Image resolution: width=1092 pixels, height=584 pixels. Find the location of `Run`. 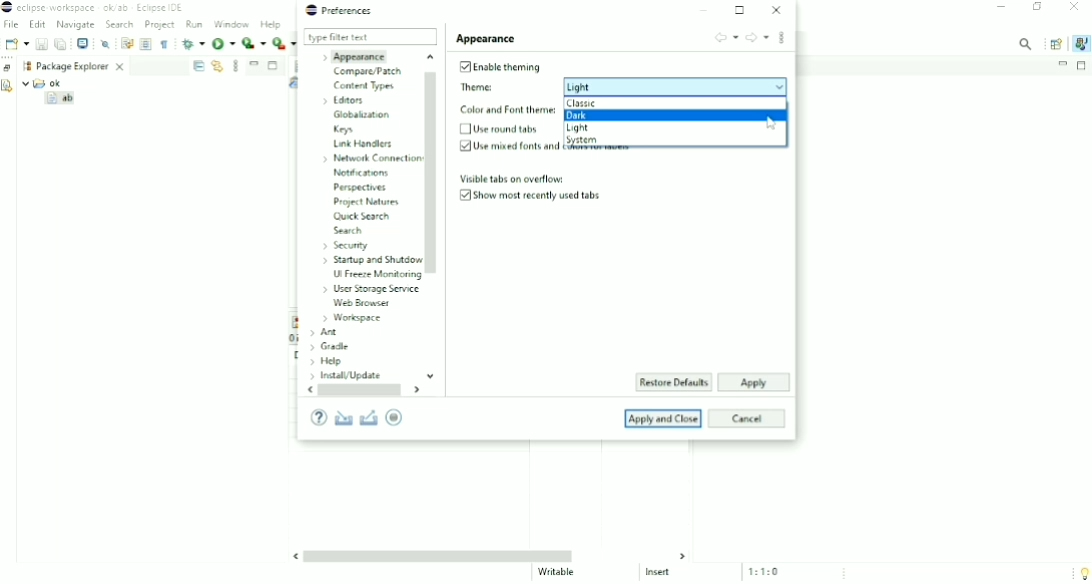

Run is located at coordinates (195, 24).